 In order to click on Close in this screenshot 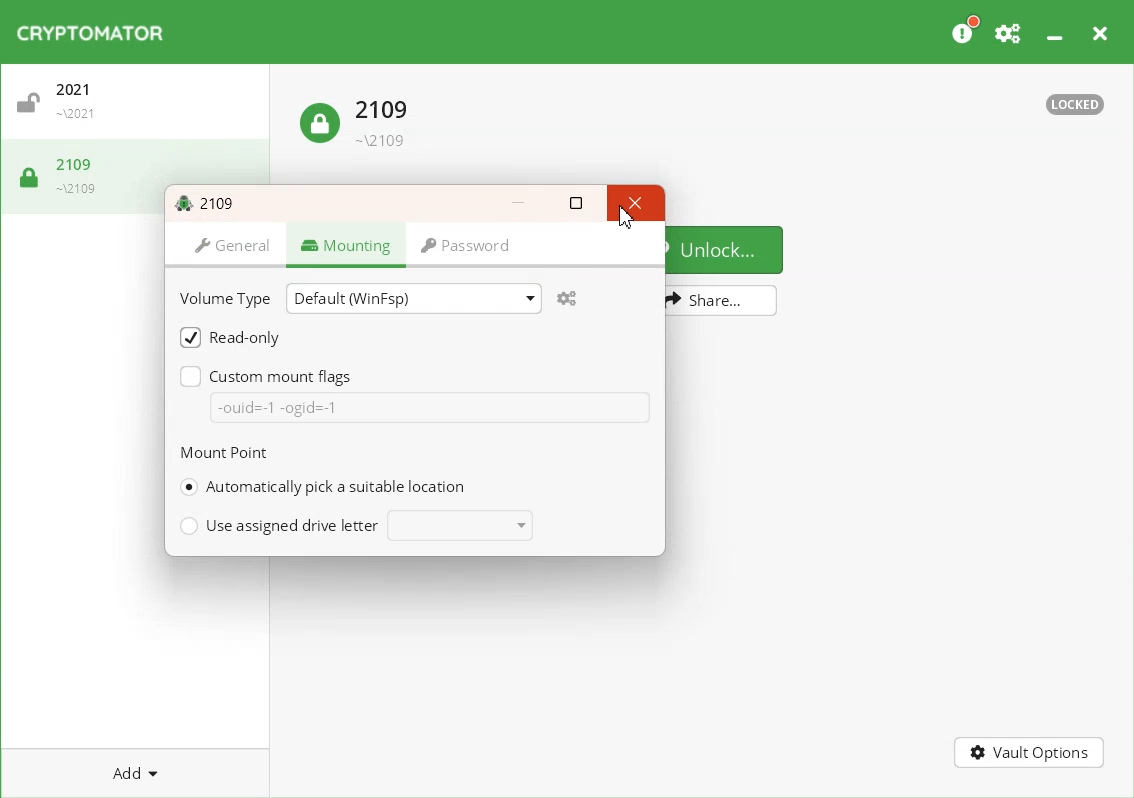, I will do `click(1102, 32)`.